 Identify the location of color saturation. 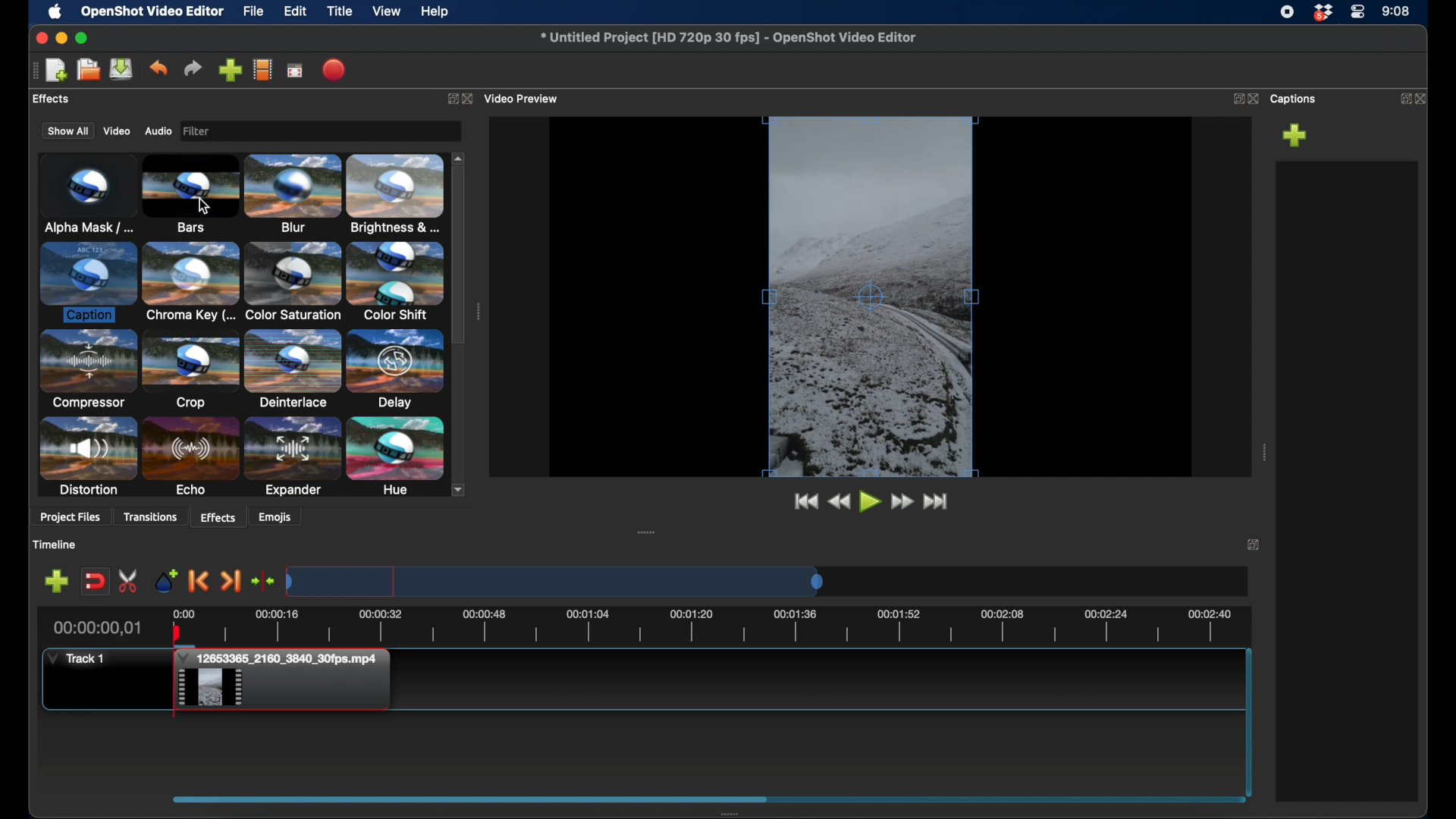
(293, 282).